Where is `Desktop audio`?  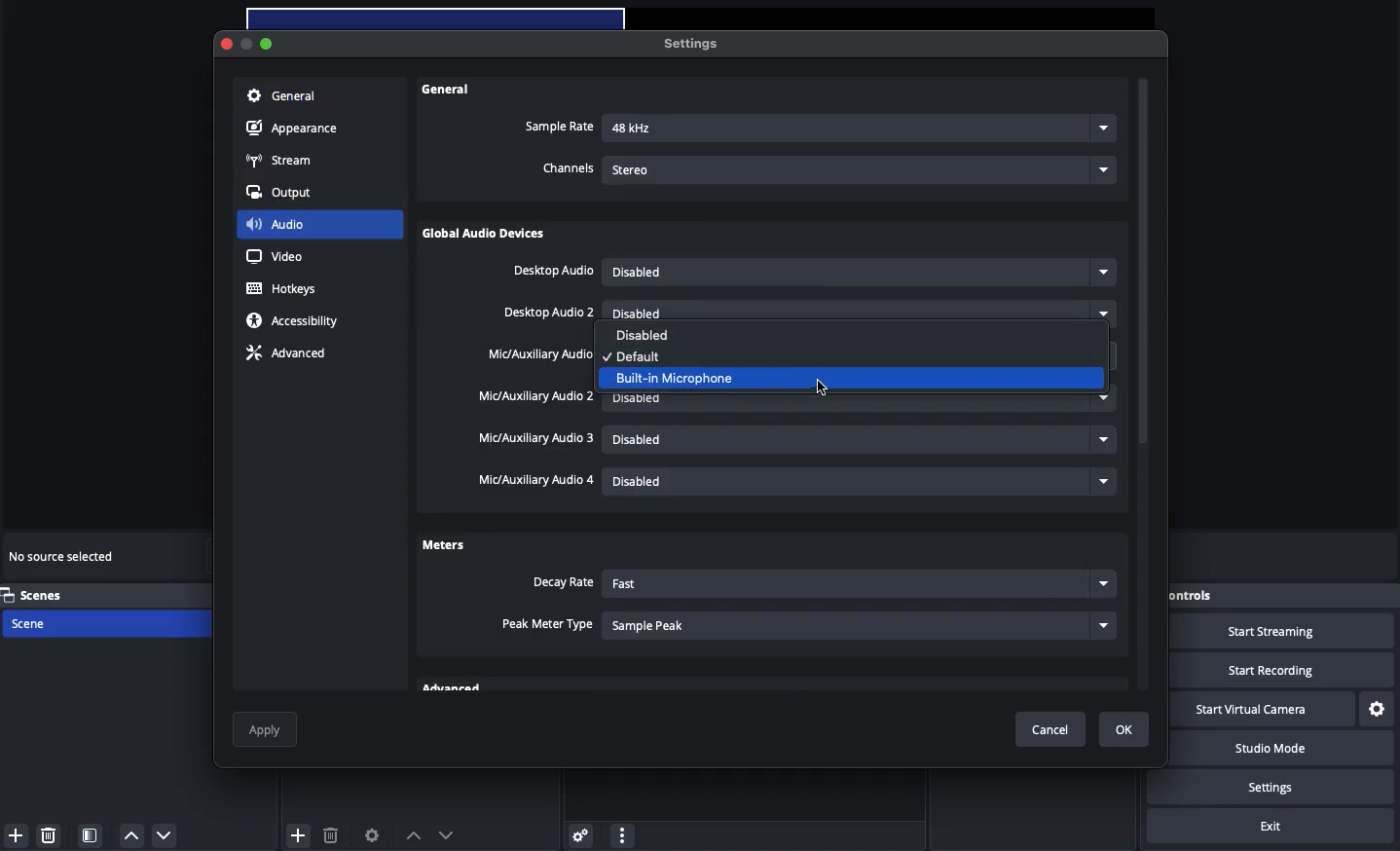 Desktop audio is located at coordinates (553, 272).